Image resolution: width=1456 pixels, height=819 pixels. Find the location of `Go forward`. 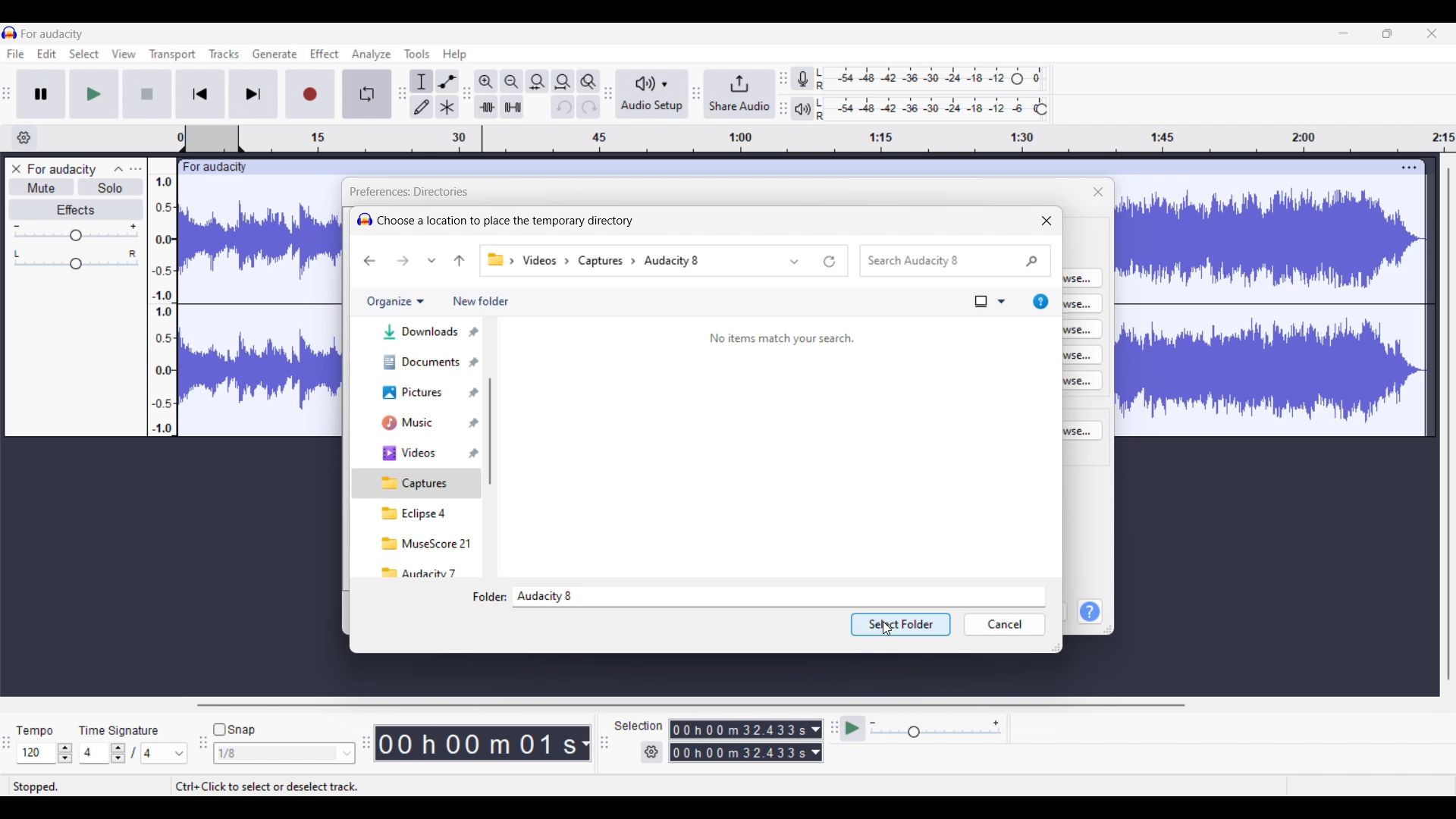

Go forward is located at coordinates (403, 261).